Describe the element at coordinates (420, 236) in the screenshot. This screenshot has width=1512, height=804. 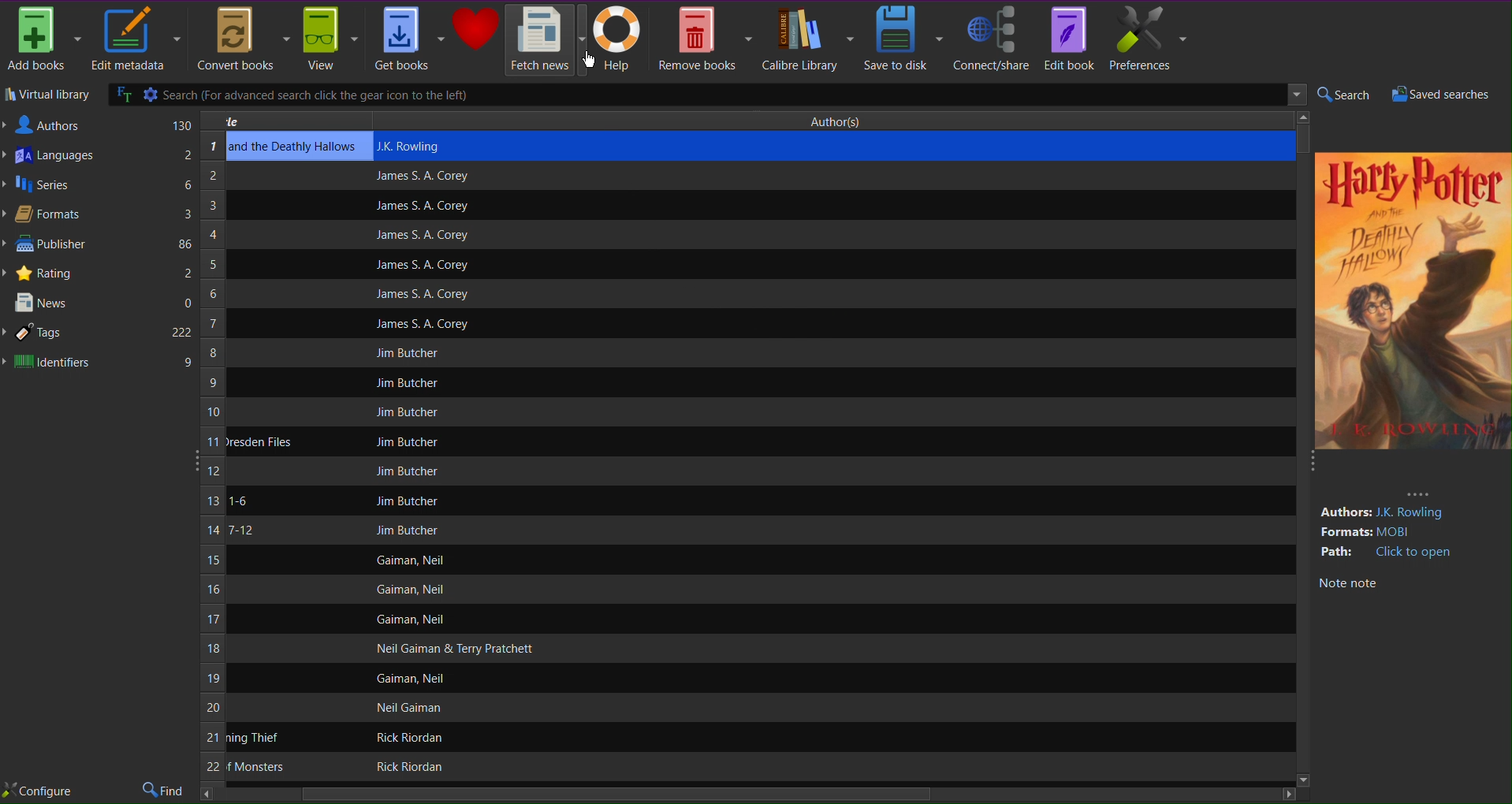
I see `James S. A. Corey` at that location.